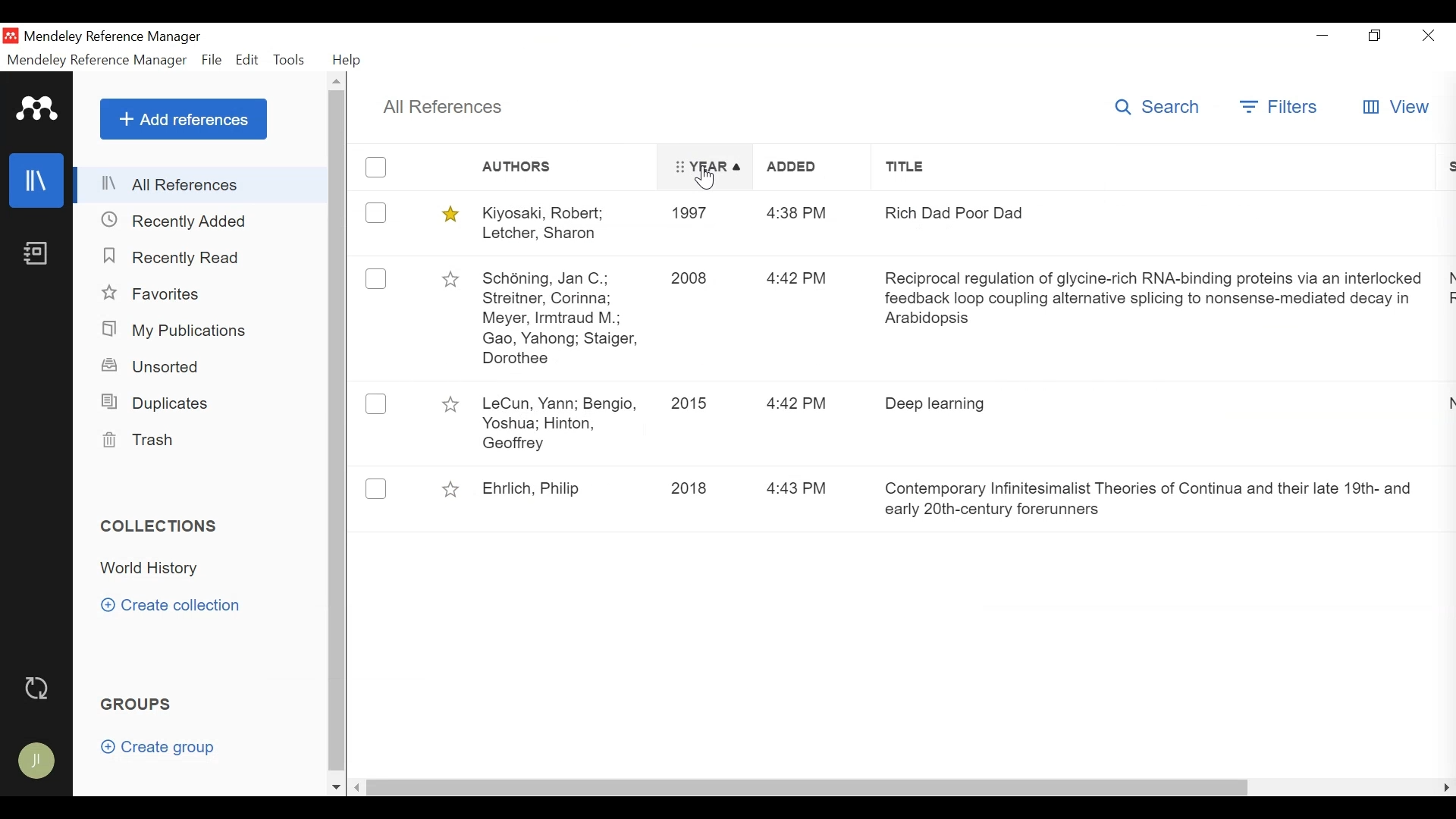 The height and width of the screenshot is (819, 1456). Describe the element at coordinates (563, 424) in the screenshot. I see `LeCun, Yann; Bengio, Yoshua; Hinton, Geoffrey` at that location.